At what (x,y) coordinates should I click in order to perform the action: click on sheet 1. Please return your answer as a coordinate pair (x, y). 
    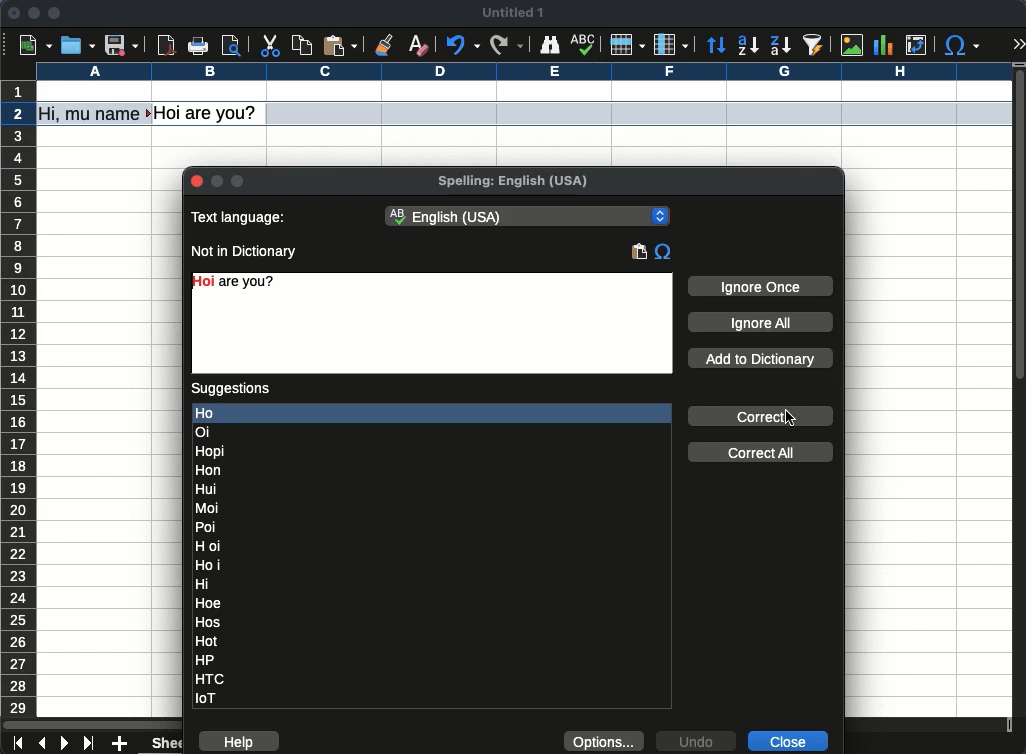
    Looking at the image, I should click on (161, 744).